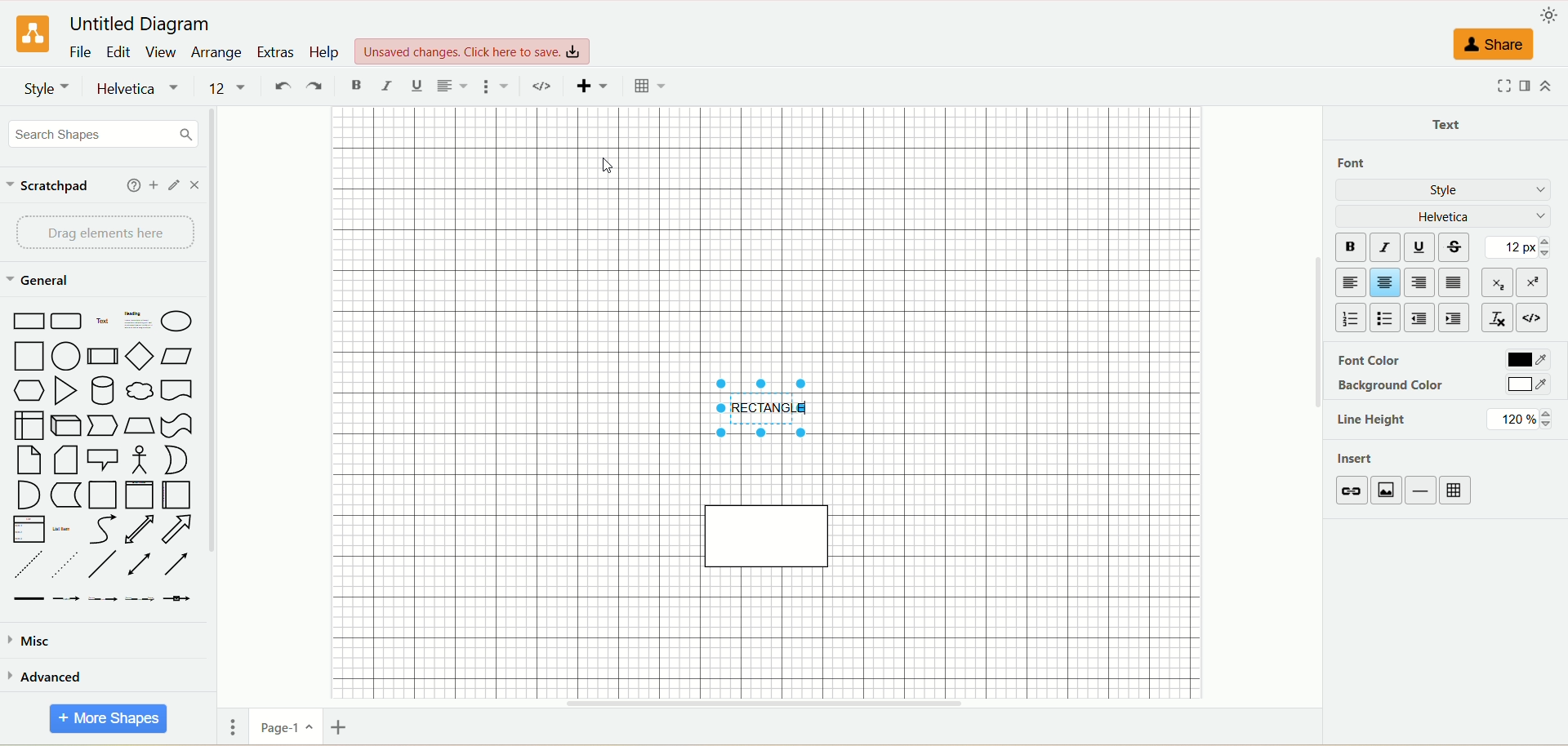 This screenshot has height=746, width=1568. I want to click on view, so click(163, 53).